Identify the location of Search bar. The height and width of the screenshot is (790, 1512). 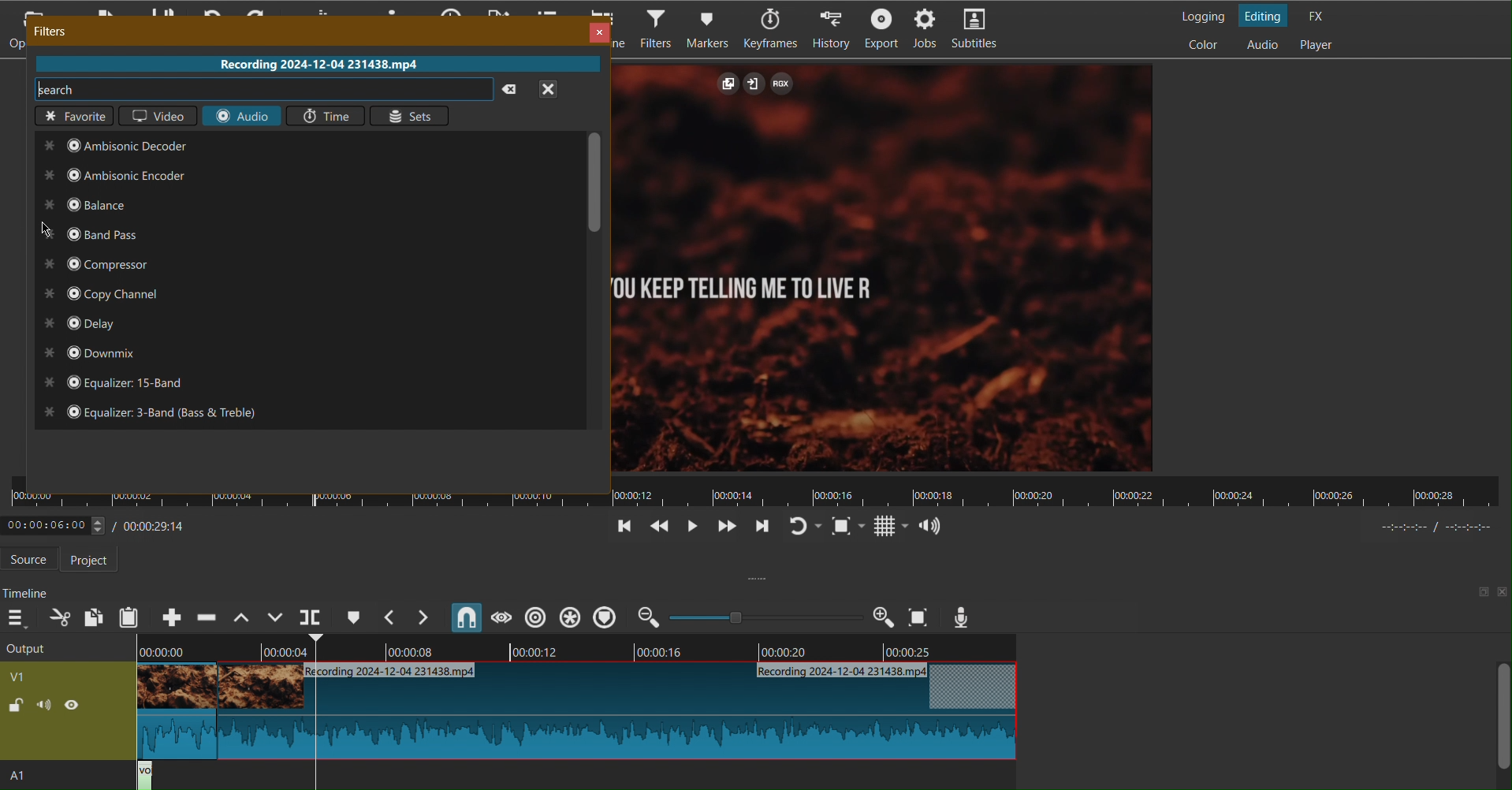
(251, 89).